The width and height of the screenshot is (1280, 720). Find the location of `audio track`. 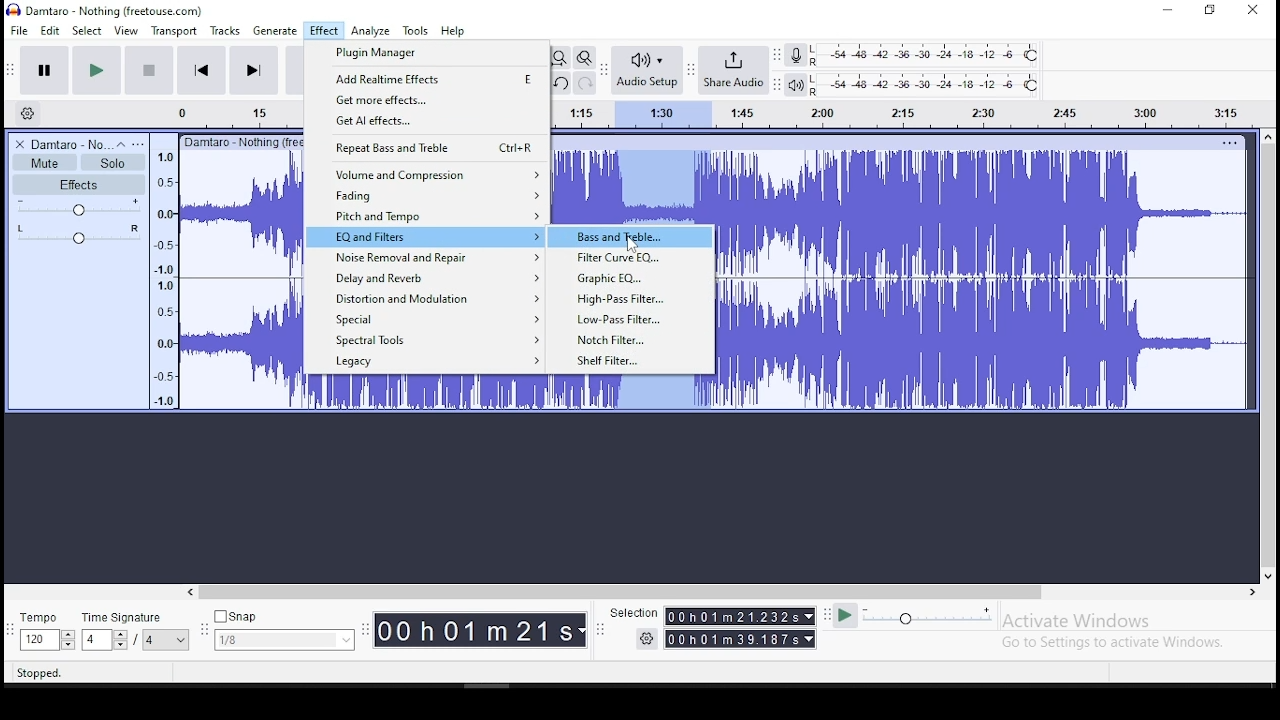

audio track is located at coordinates (985, 344).